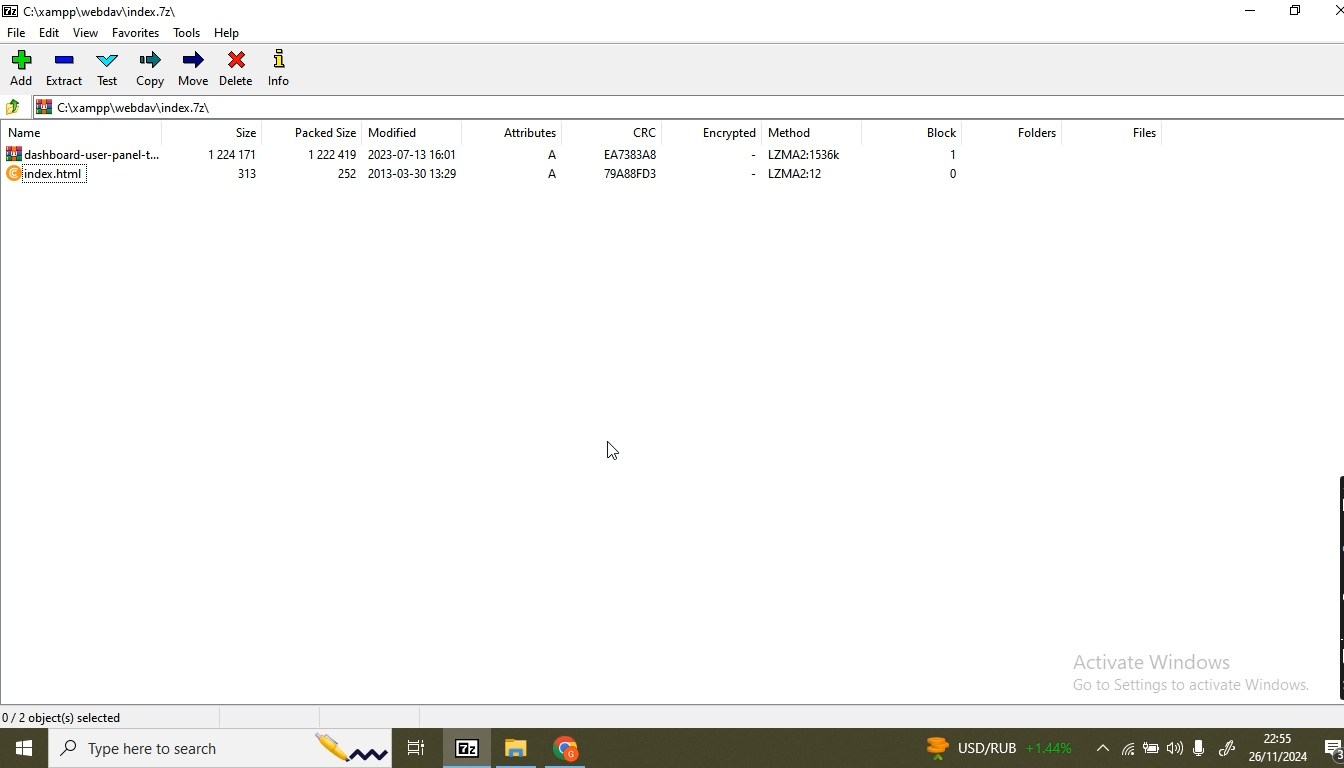 This screenshot has height=768, width=1344. Describe the element at coordinates (1204, 746) in the screenshot. I see `microphone` at that location.